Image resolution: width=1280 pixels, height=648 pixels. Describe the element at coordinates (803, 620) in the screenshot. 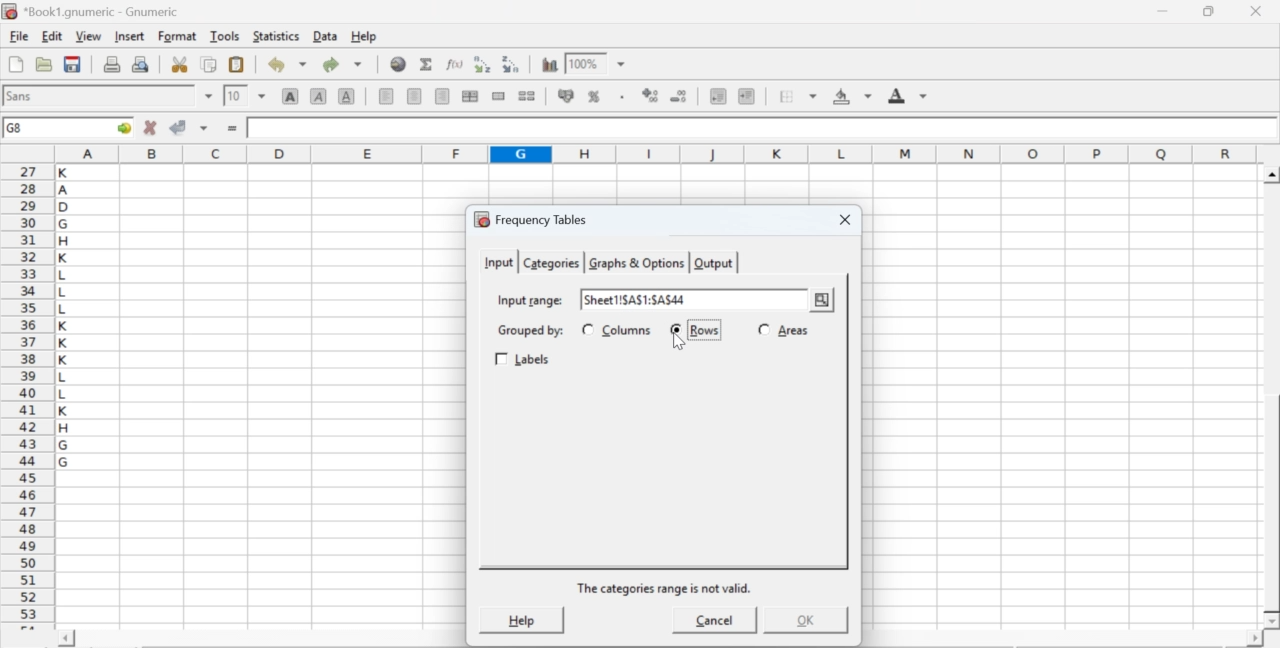

I see `OK` at that location.